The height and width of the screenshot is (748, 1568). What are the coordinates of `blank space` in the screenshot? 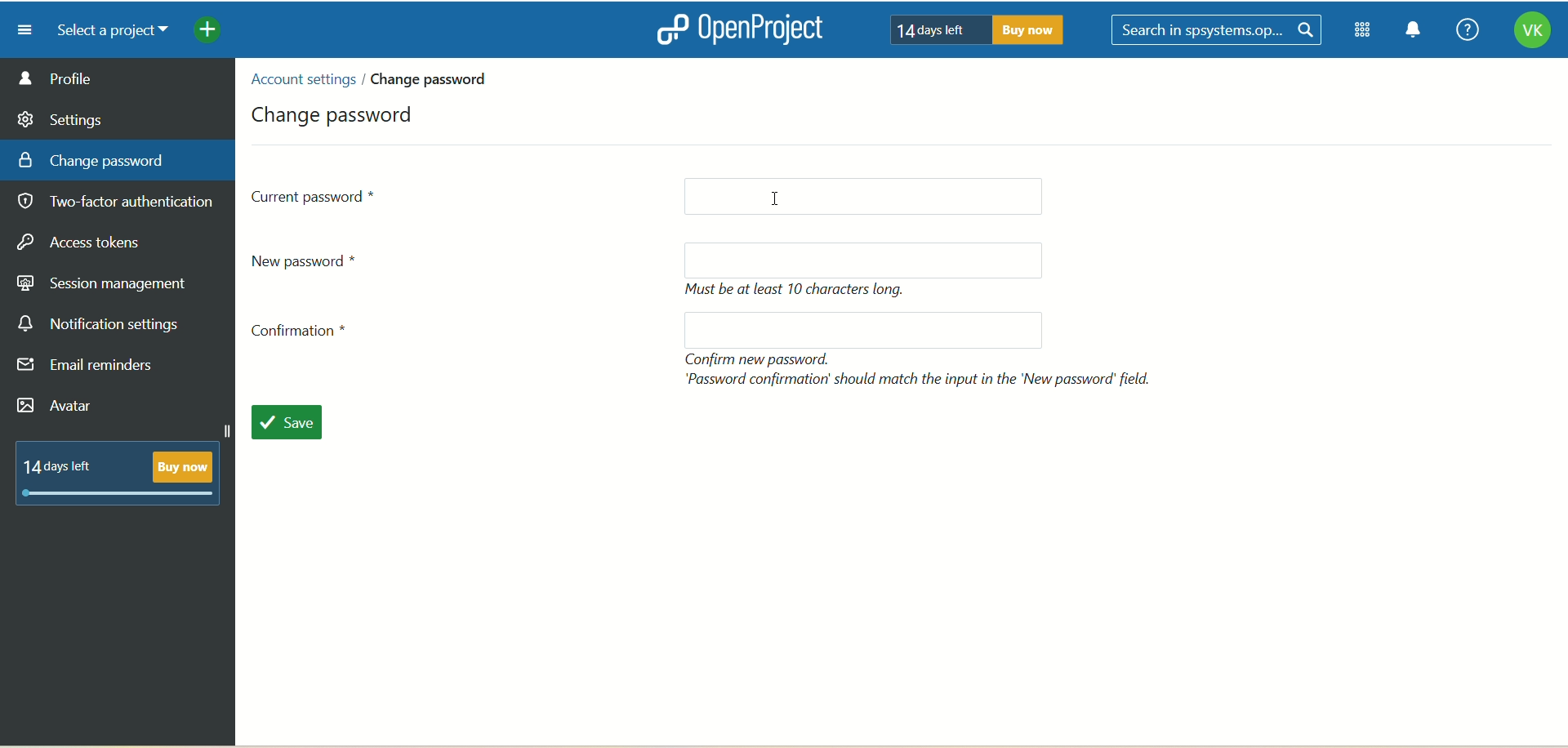 It's located at (878, 194).